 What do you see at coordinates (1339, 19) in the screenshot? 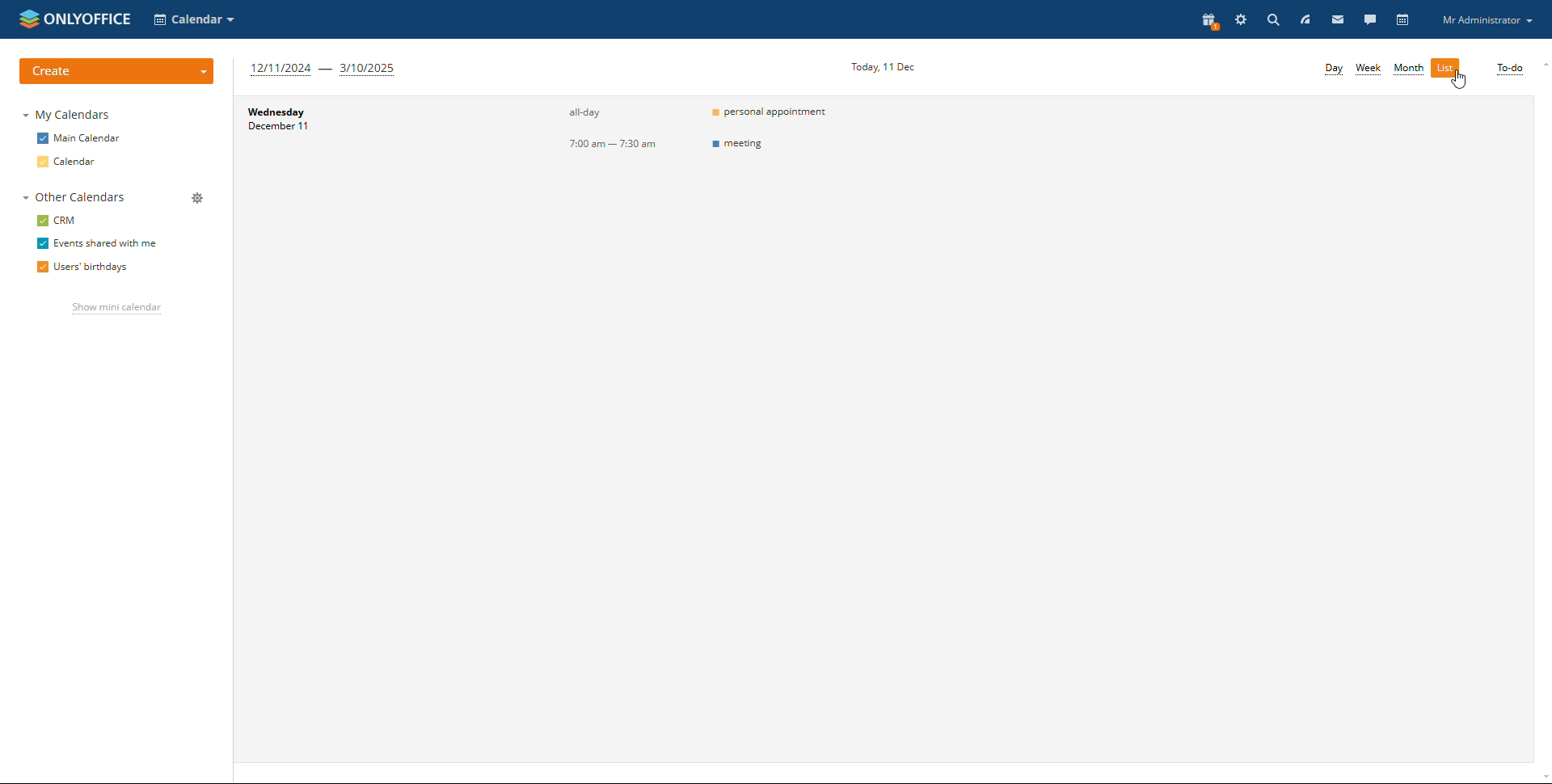
I see `mail` at bounding box center [1339, 19].